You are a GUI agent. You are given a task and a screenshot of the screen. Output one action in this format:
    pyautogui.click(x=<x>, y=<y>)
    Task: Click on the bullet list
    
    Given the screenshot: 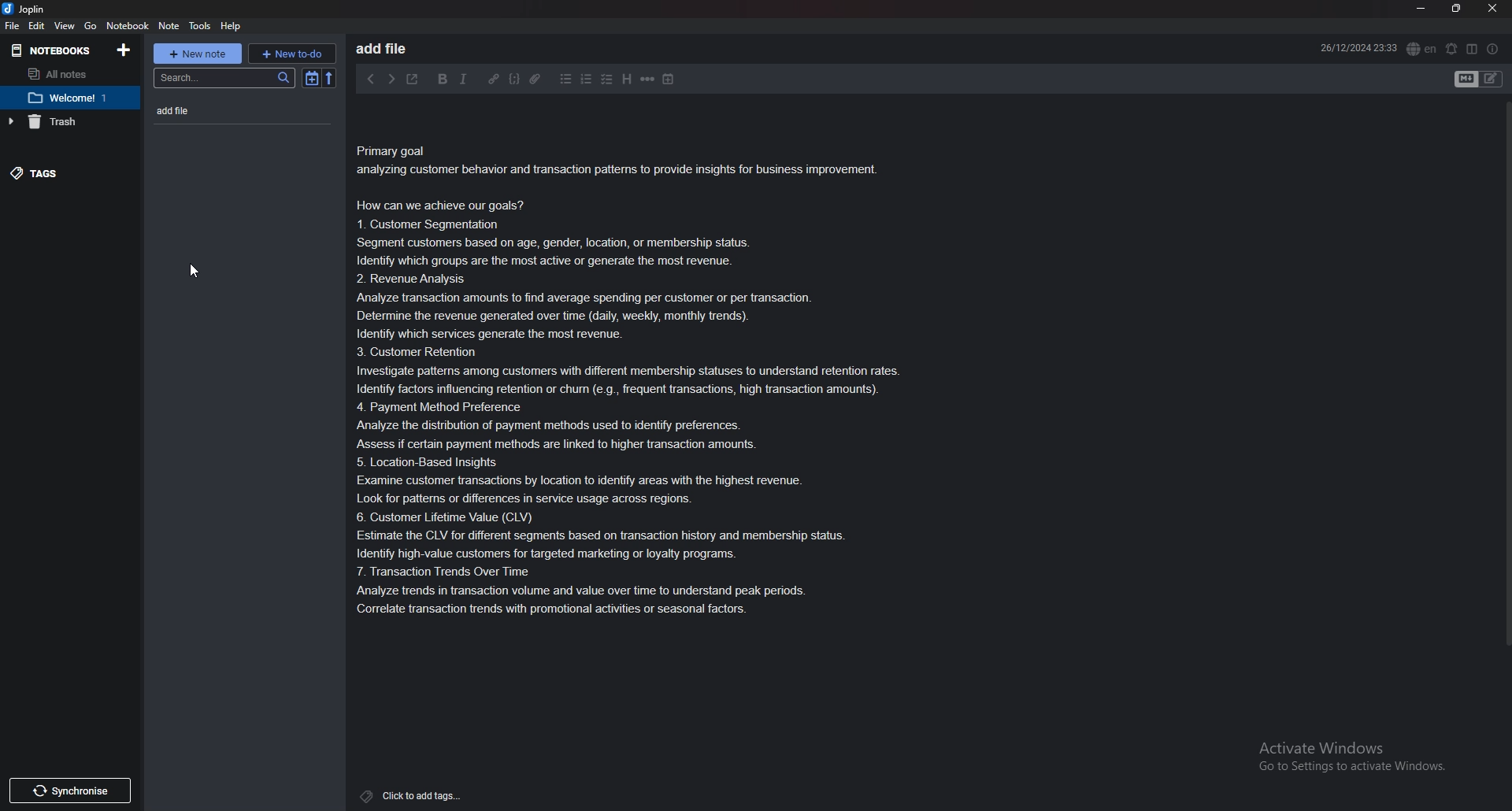 What is the action you would take?
    pyautogui.click(x=566, y=80)
    